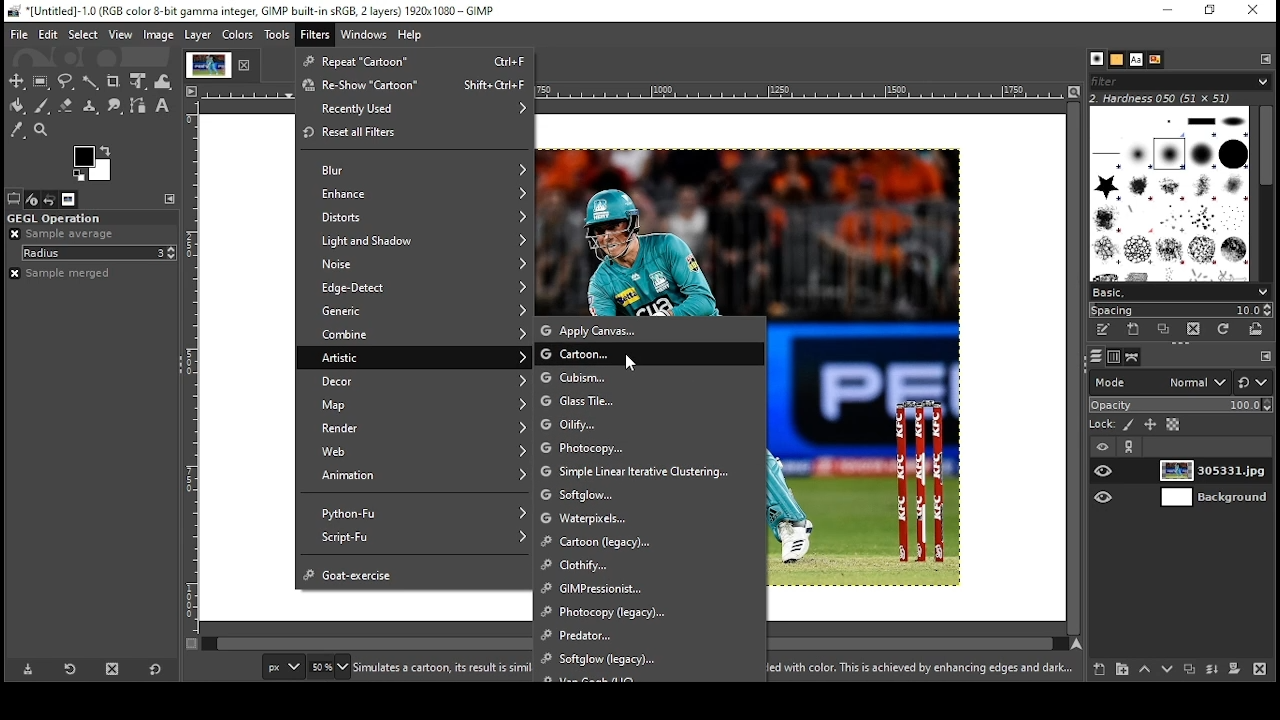 This screenshot has width=1280, height=720. I want to click on oilify, so click(650, 423).